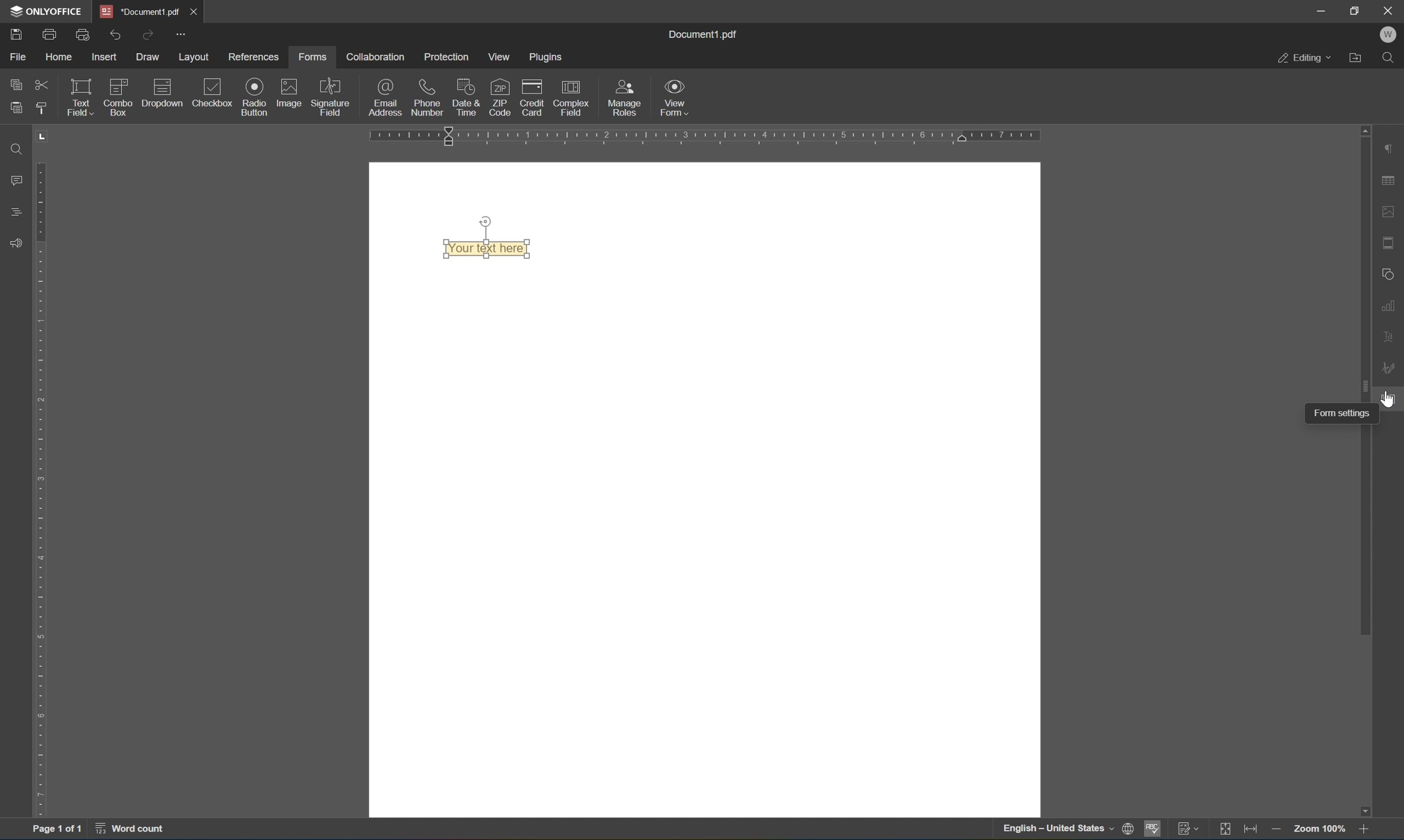 The height and width of the screenshot is (840, 1404). Describe the element at coordinates (1189, 828) in the screenshot. I see `track changes` at that location.